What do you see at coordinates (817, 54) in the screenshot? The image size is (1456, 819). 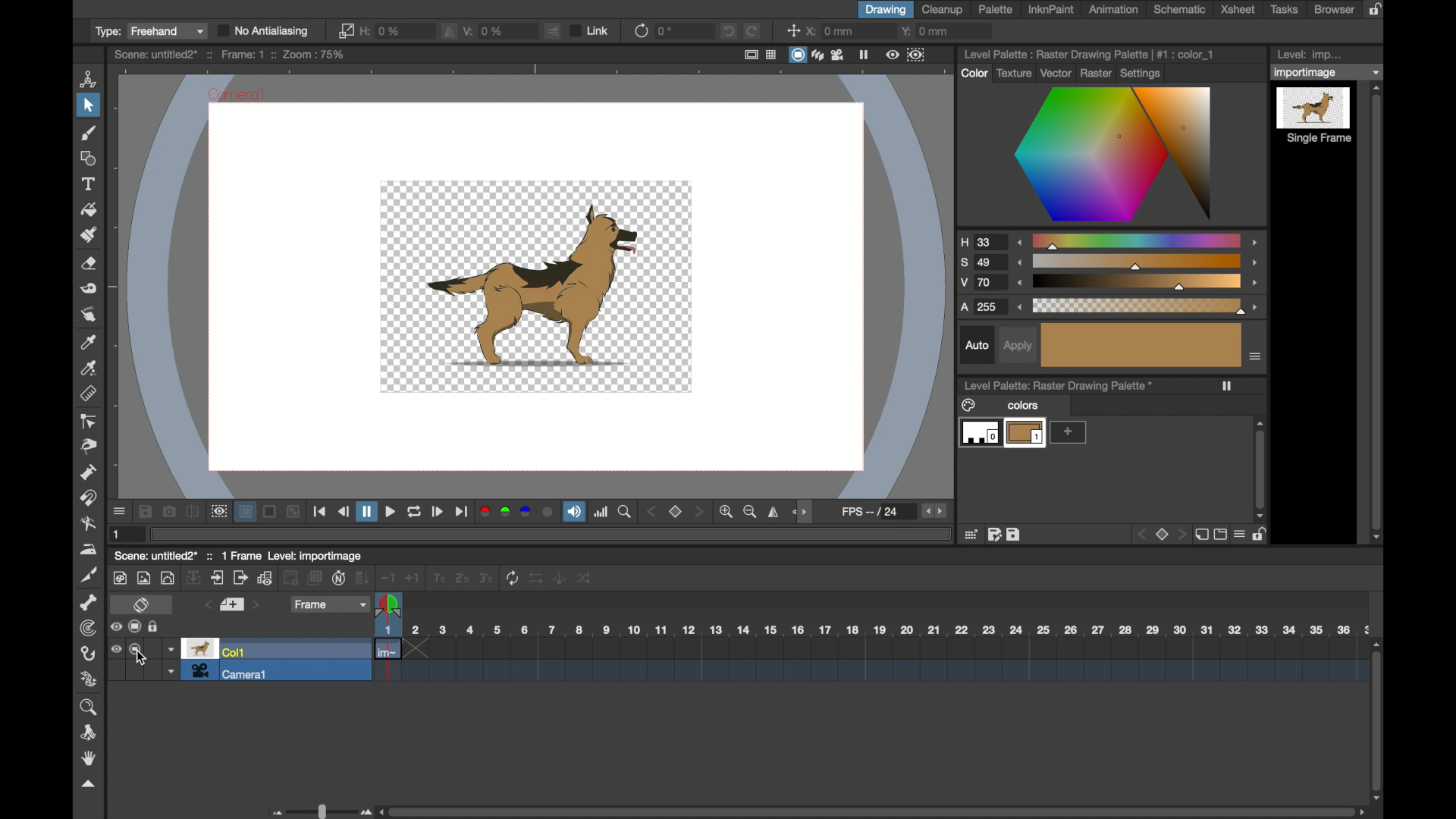 I see `layers` at bounding box center [817, 54].